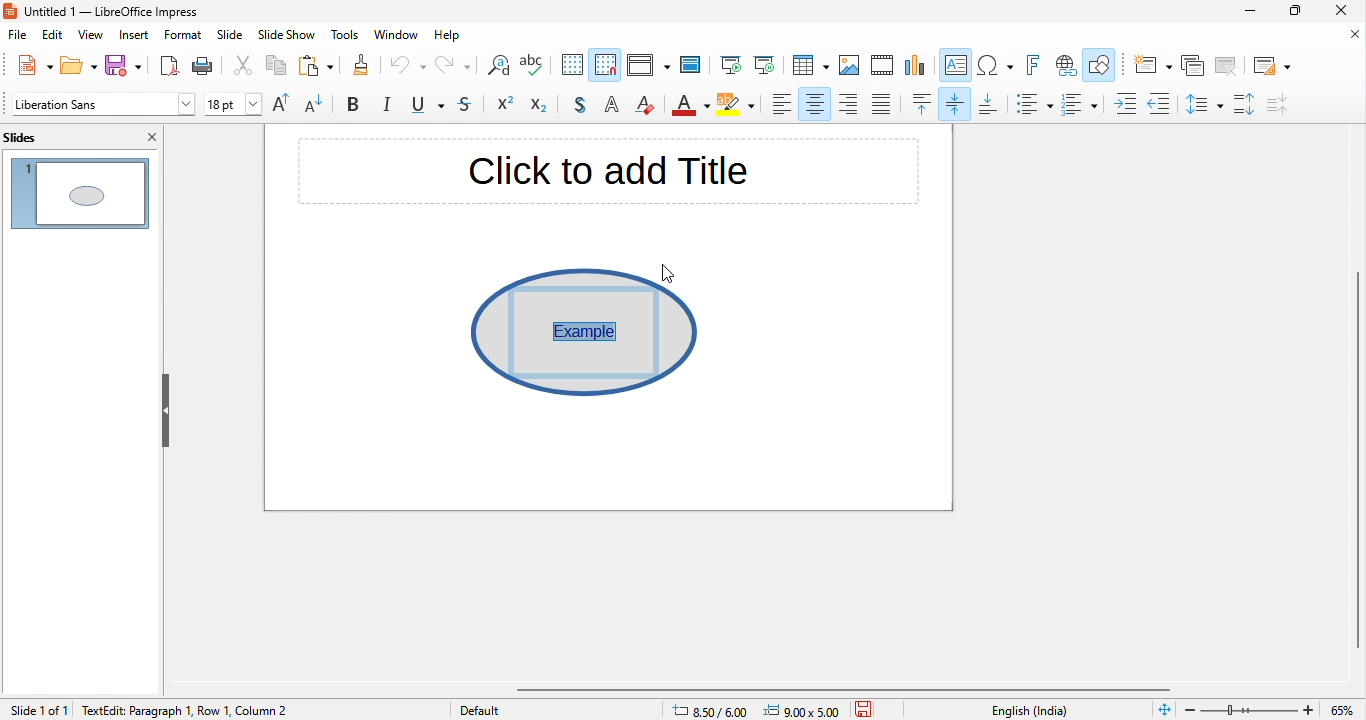 The width and height of the screenshot is (1366, 720). I want to click on copy, so click(273, 67).